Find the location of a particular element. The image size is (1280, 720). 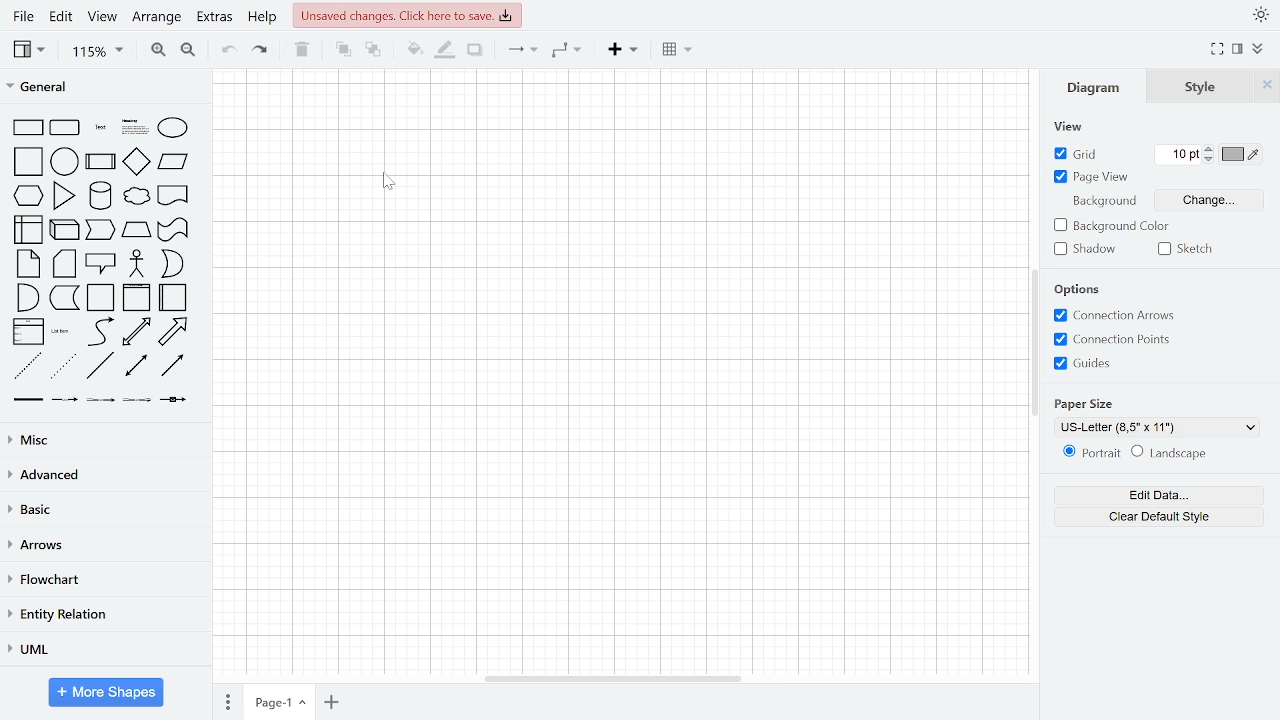

connector is located at coordinates (518, 51).